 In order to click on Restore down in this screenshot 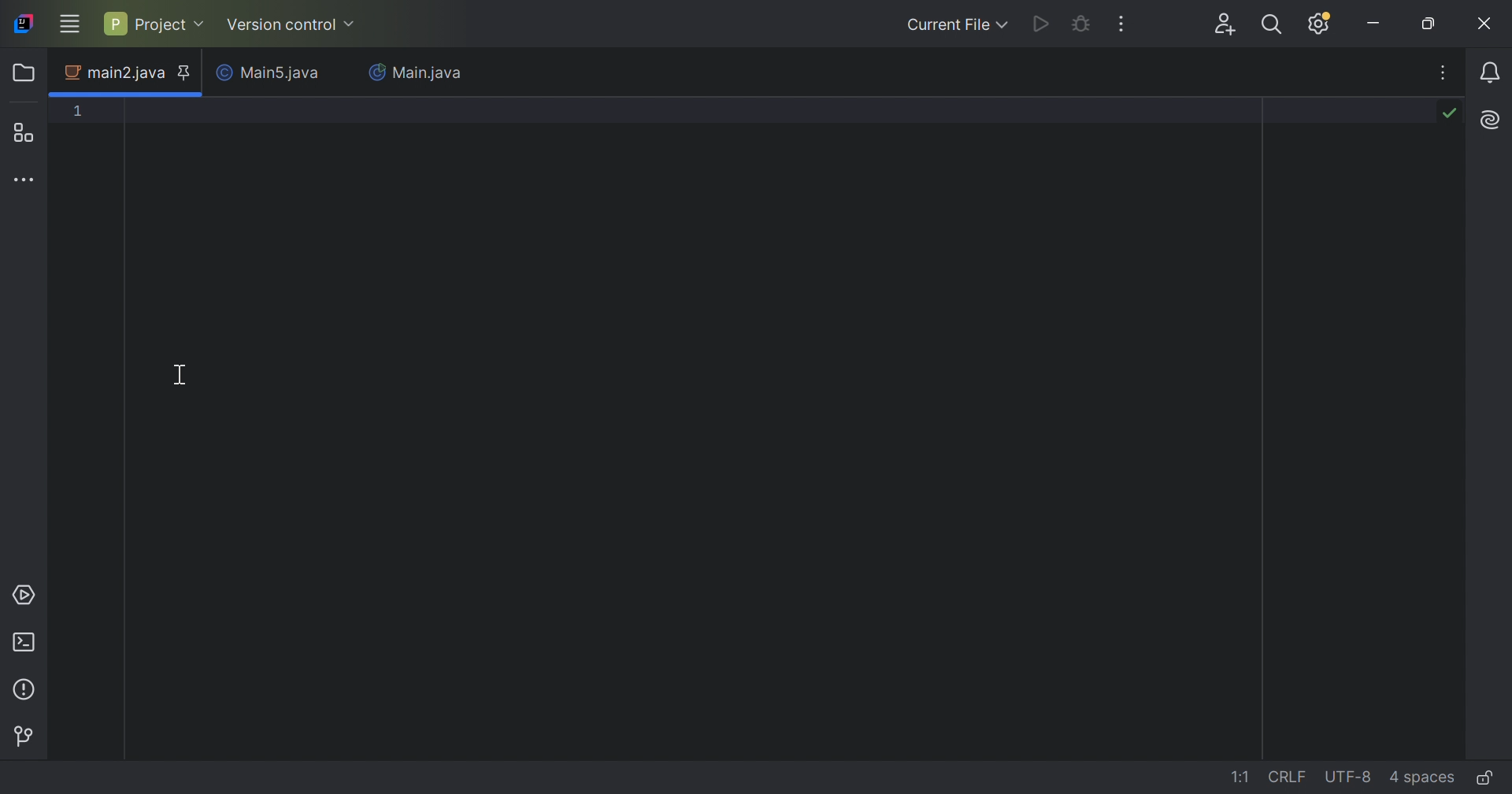, I will do `click(1429, 24)`.